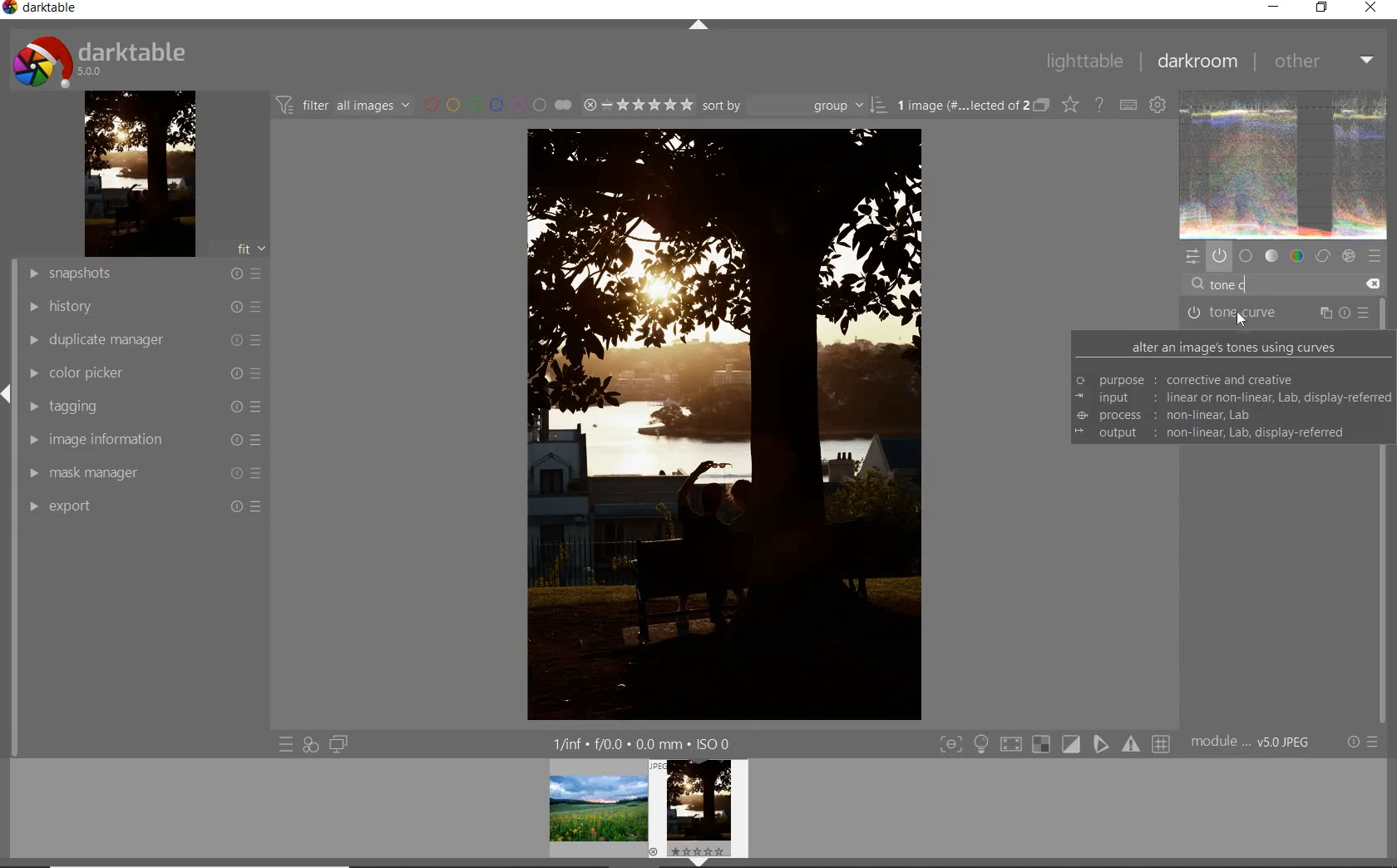 This screenshot has width=1397, height=868. I want to click on correct, so click(1322, 256).